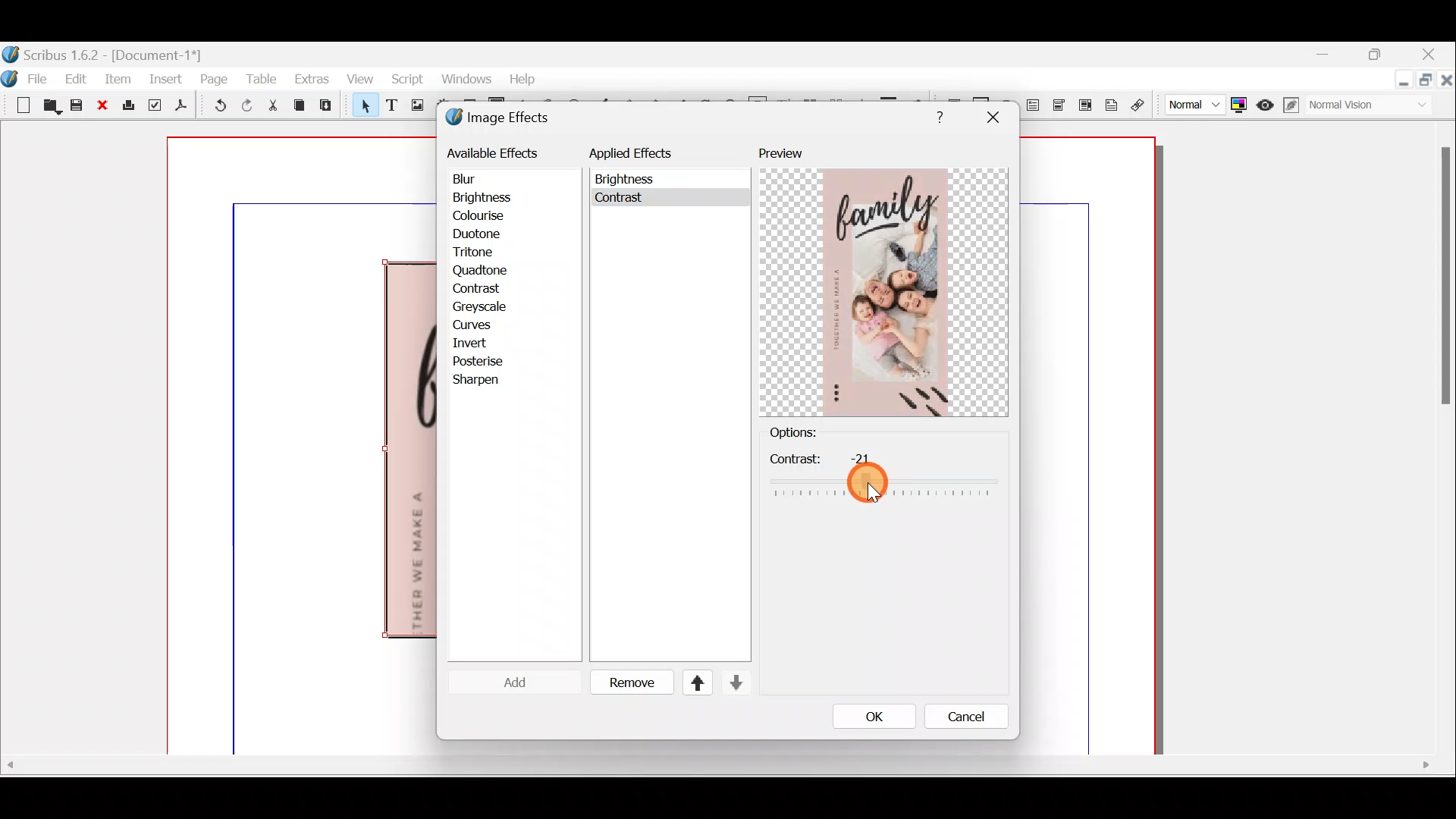  What do you see at coordinates (115, 78) in the screenshot?
I see `Item` at bounding box center [115, 78].